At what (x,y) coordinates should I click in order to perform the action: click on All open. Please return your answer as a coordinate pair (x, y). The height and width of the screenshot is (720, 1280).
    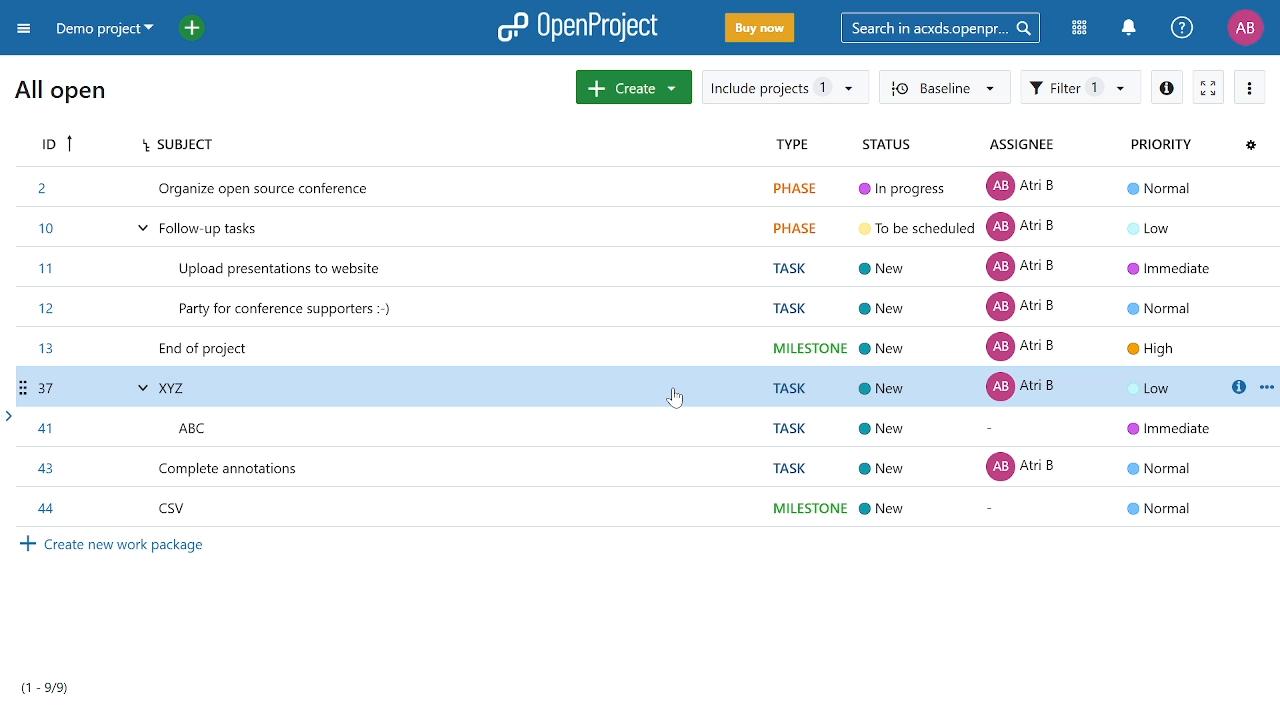
    Looking at the image, I should click on (64, 93).